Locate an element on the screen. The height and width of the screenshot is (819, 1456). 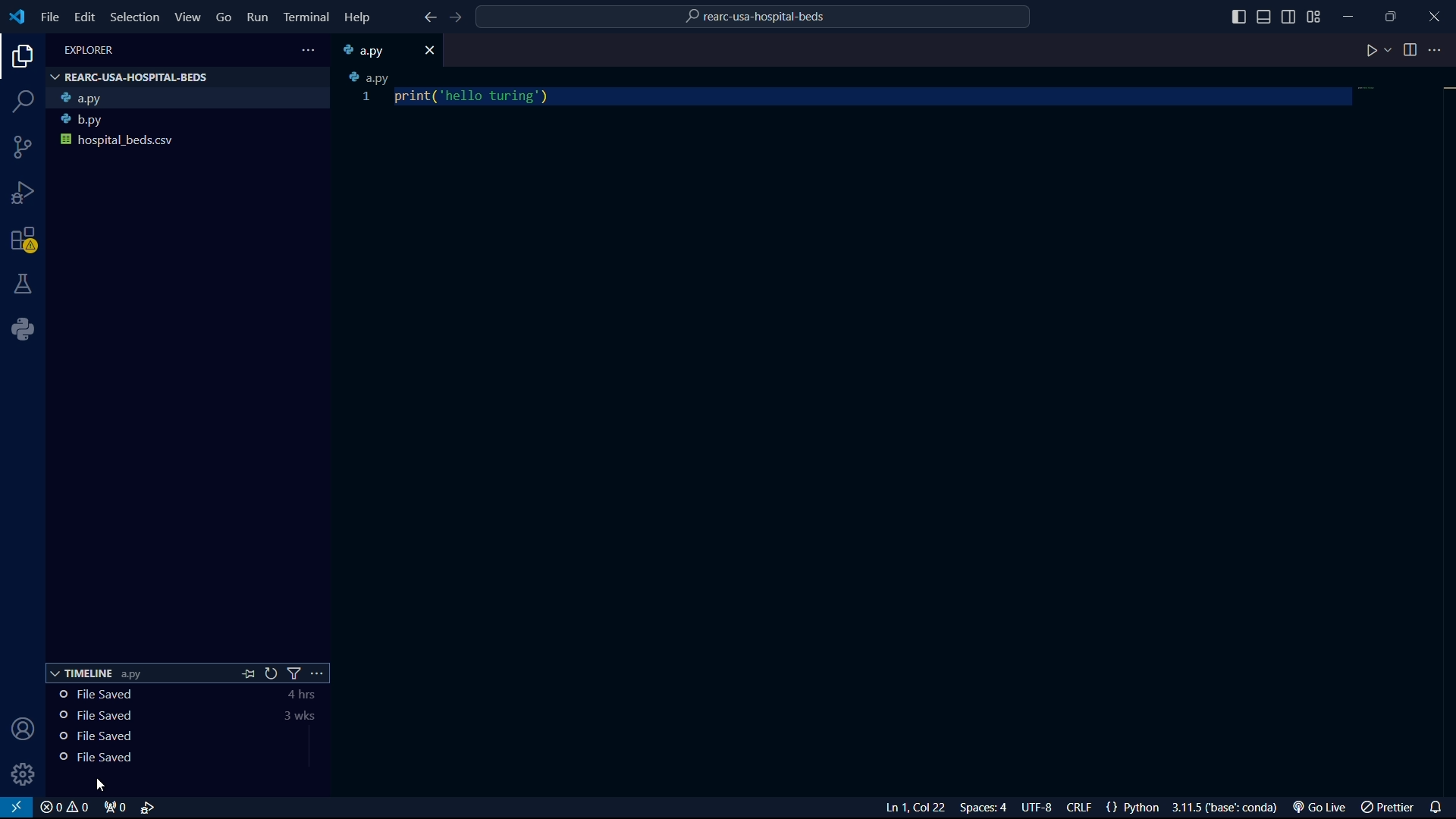
hospital_beds.csv file is located at coordinates (188, 144).